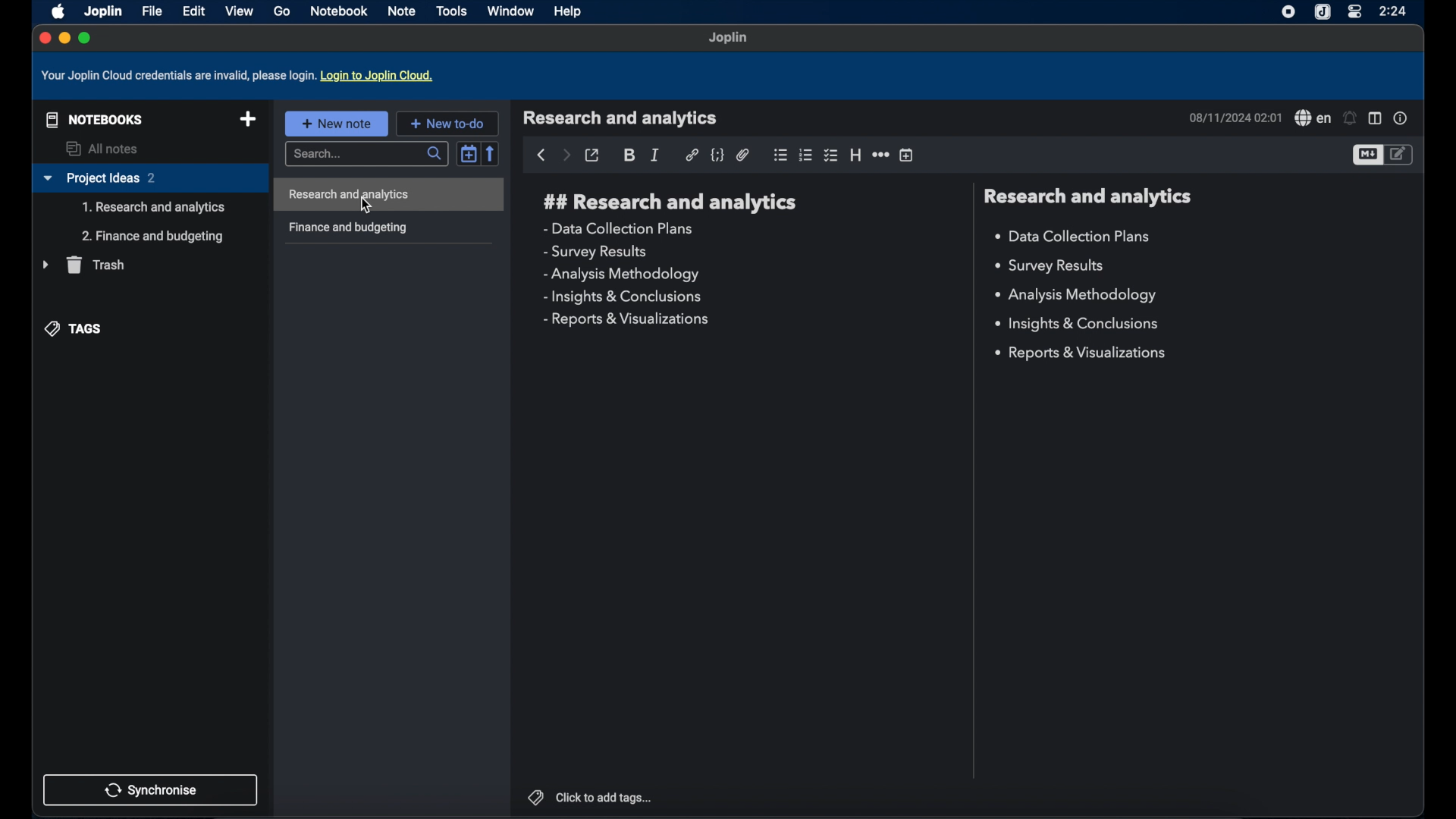 The image size is (1456, 819). What do you see at coordinates (806, 155) in the screenshot?
I see `numbered list` at bounding box center [806, 155].